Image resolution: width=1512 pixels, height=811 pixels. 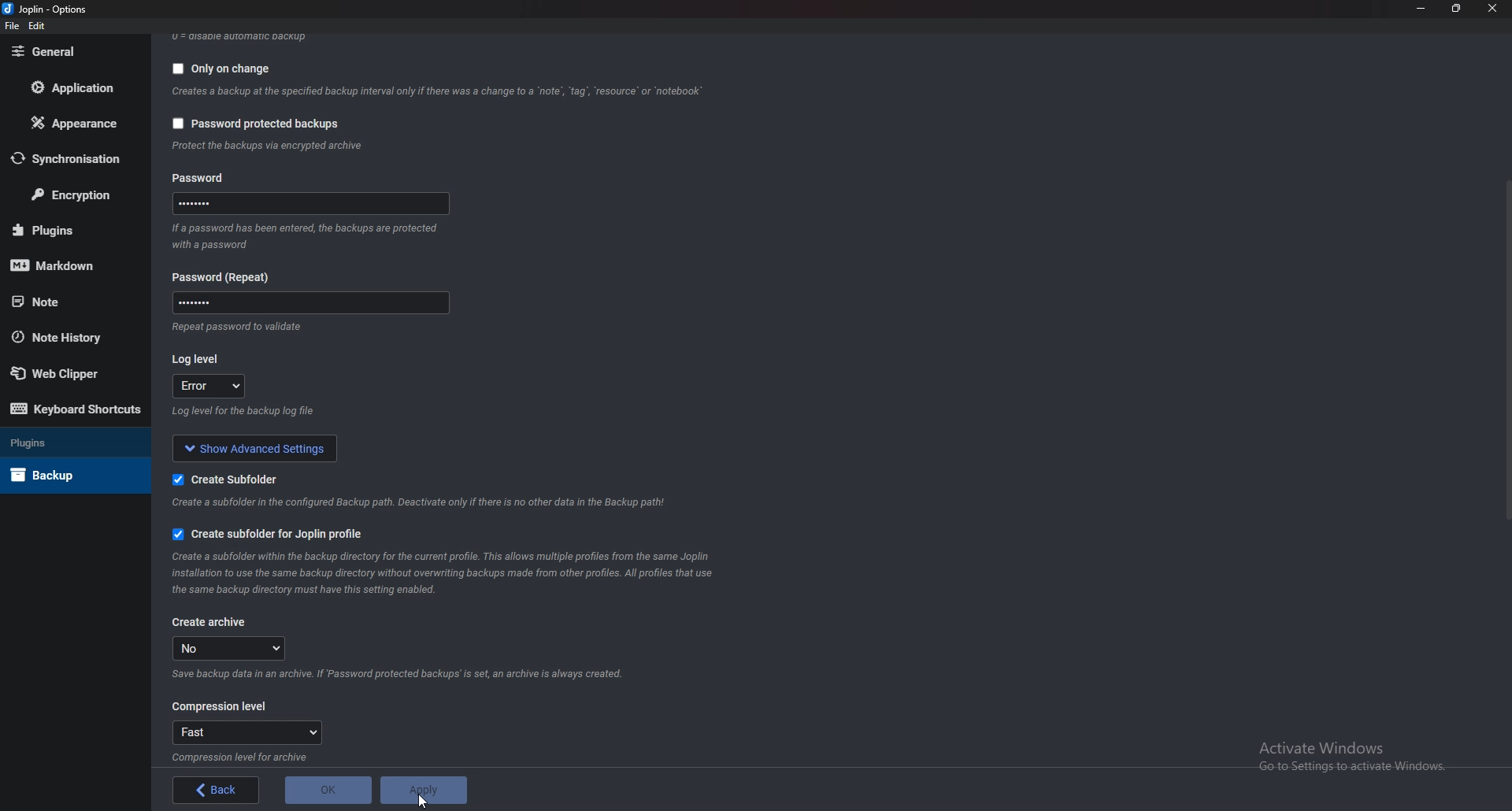 What do you see at coordinates (224, 277) in the screenshot?
I see `Password` at bounding box center [224, 277].